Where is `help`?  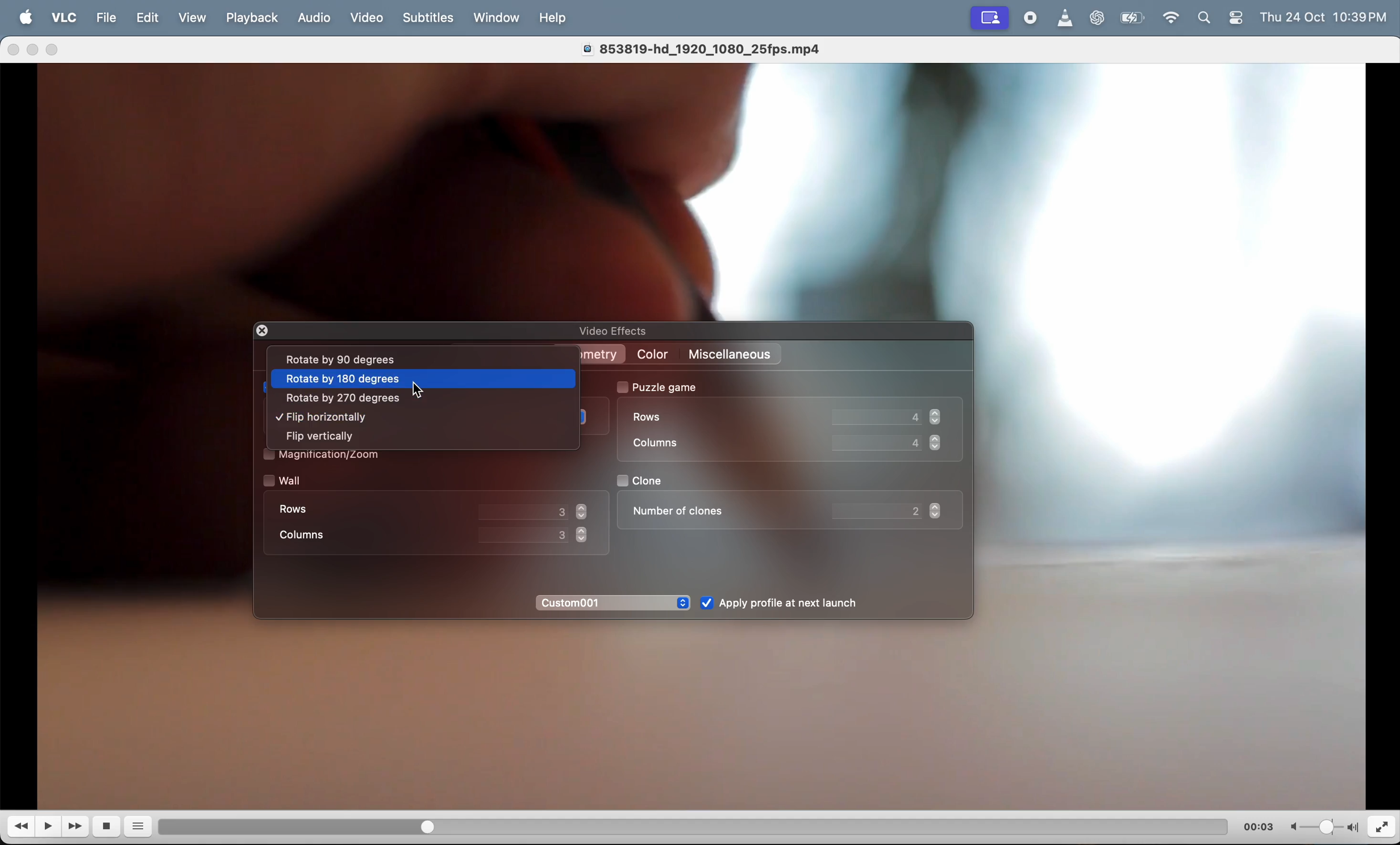
help is located at coordinates (556, 19).